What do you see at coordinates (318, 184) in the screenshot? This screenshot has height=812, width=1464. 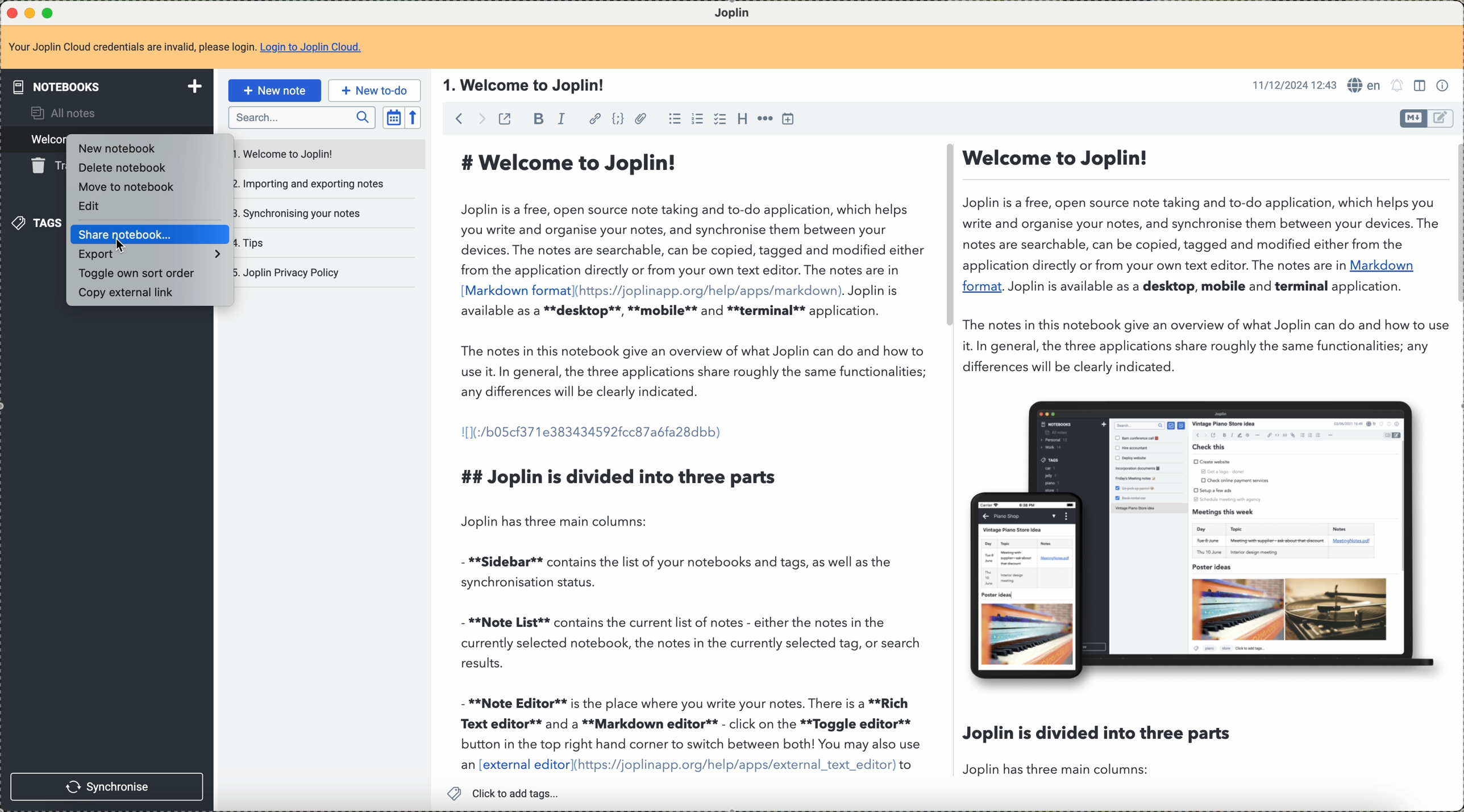 I see `importing and exporting notes` at bounding box center [318, 184].